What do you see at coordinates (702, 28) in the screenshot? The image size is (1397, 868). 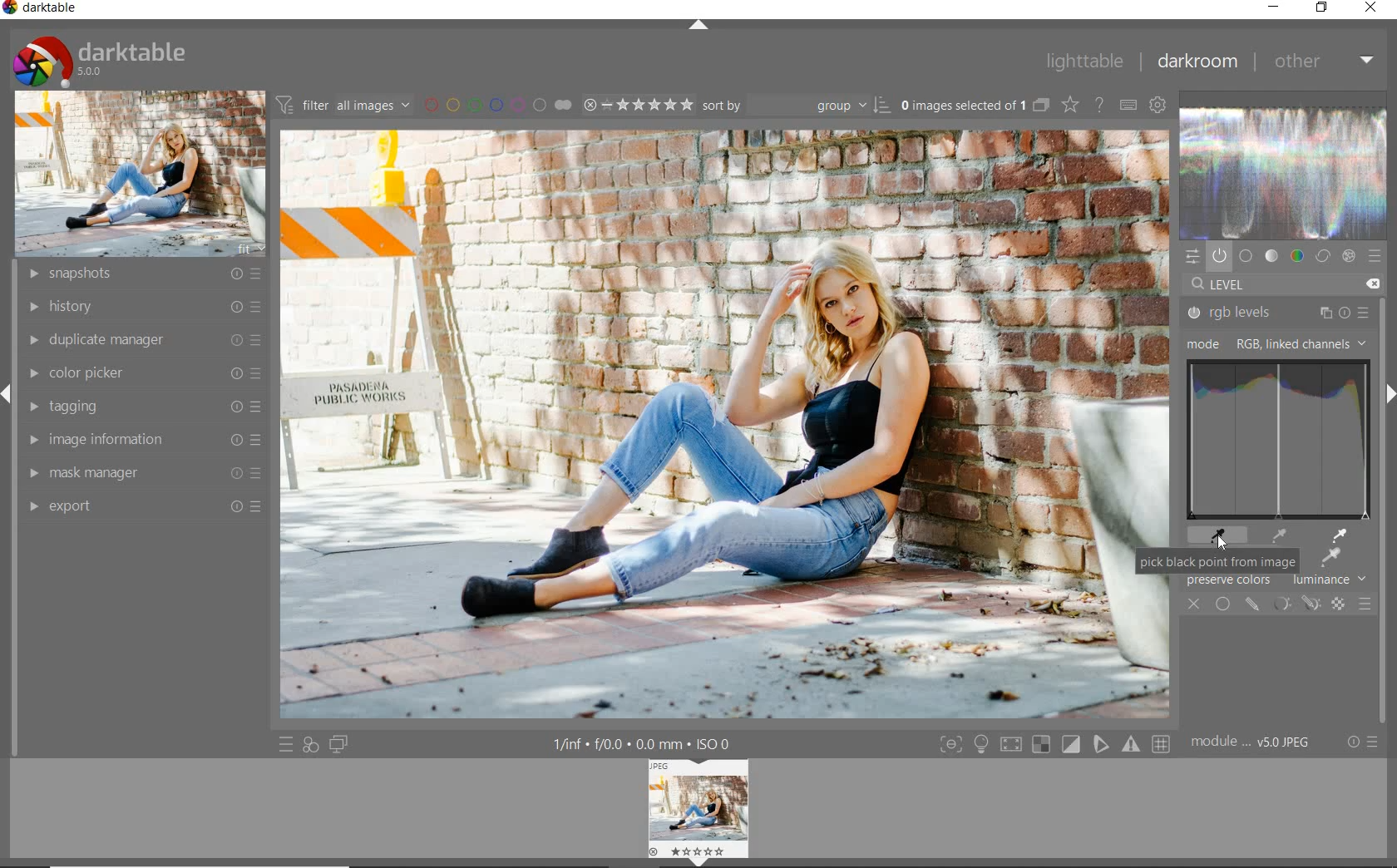 I see `expand/collapse` at bounding box center [702, 28].